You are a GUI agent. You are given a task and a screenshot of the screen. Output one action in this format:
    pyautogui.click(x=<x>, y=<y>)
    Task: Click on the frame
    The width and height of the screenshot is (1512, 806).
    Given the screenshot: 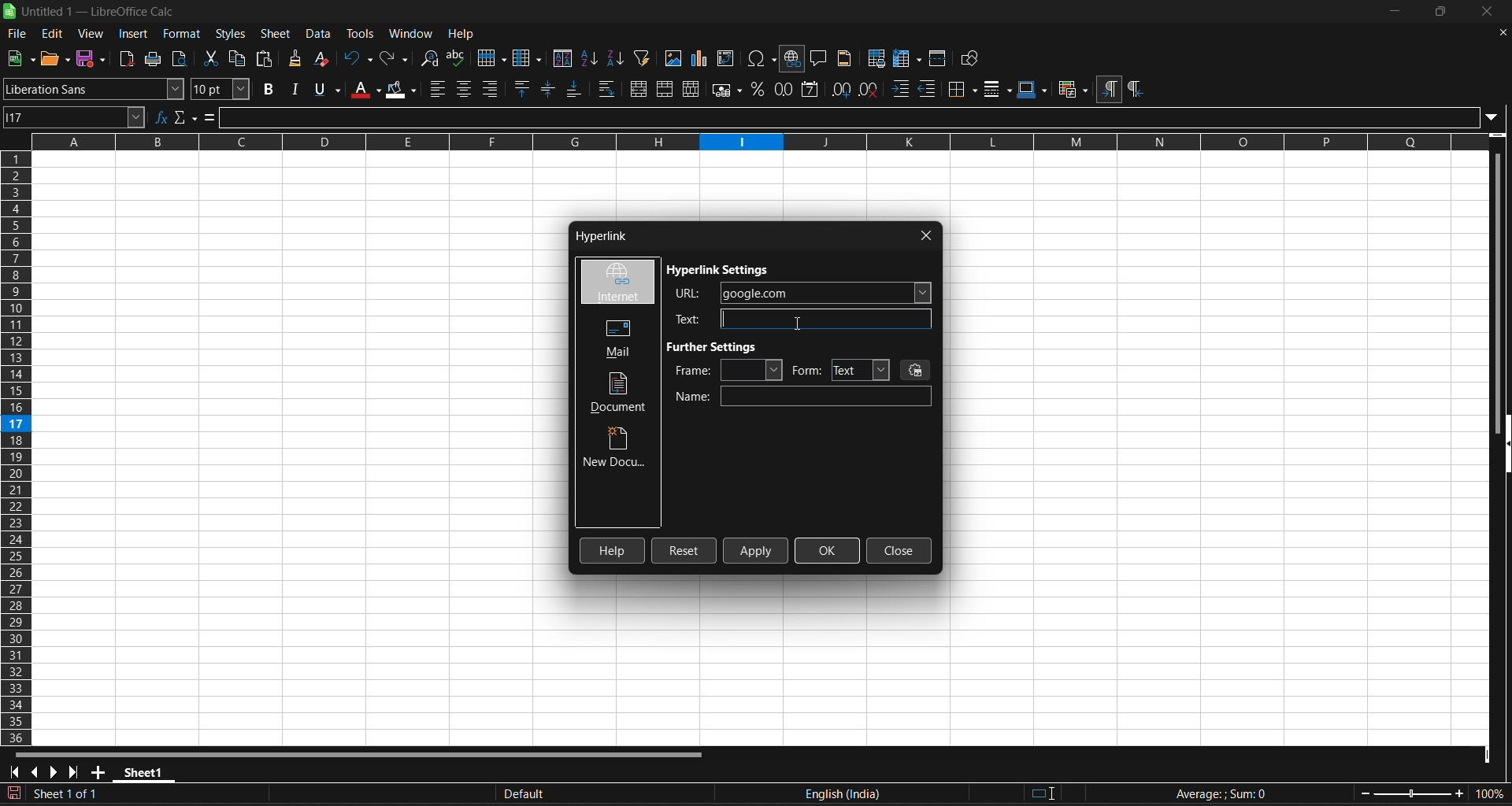 What is the action you would take?
    pyautogui.click(x=728, y=370)
    